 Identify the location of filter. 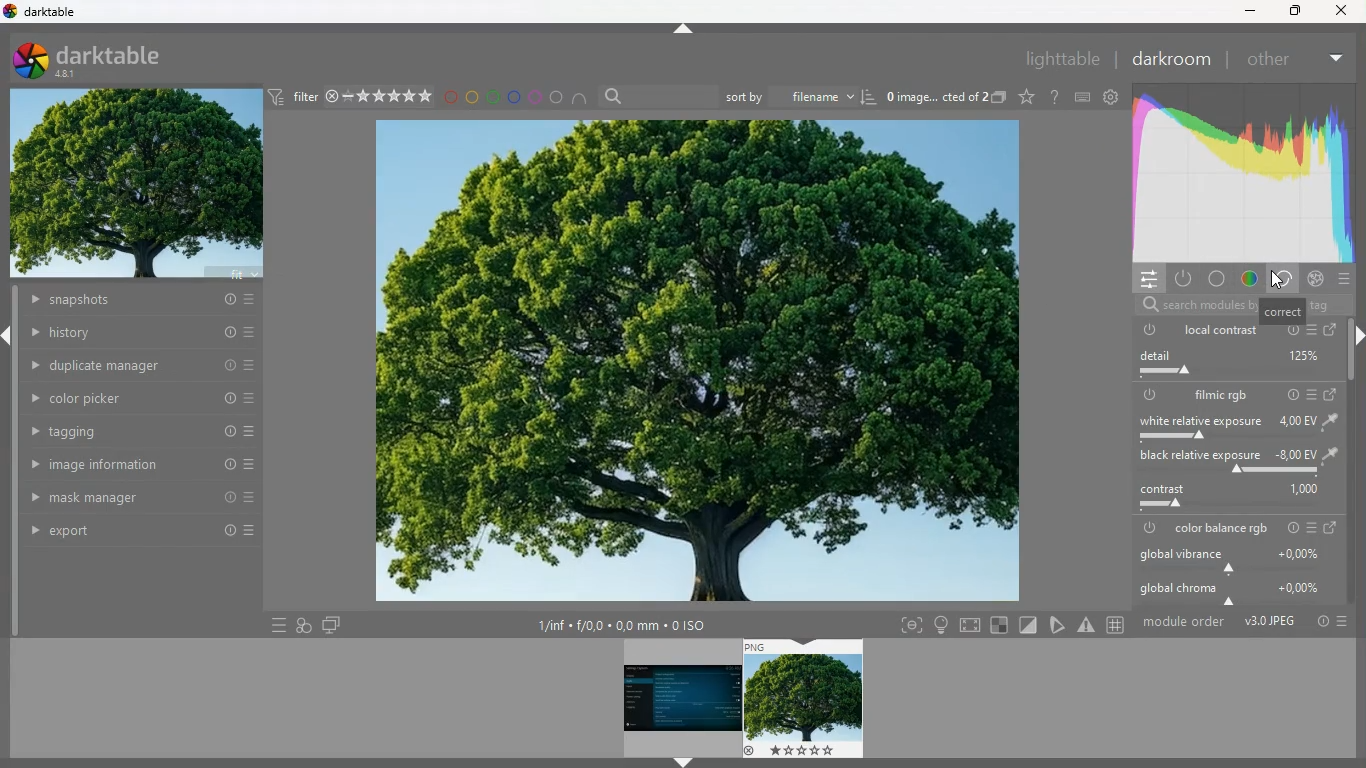
(295, 98).